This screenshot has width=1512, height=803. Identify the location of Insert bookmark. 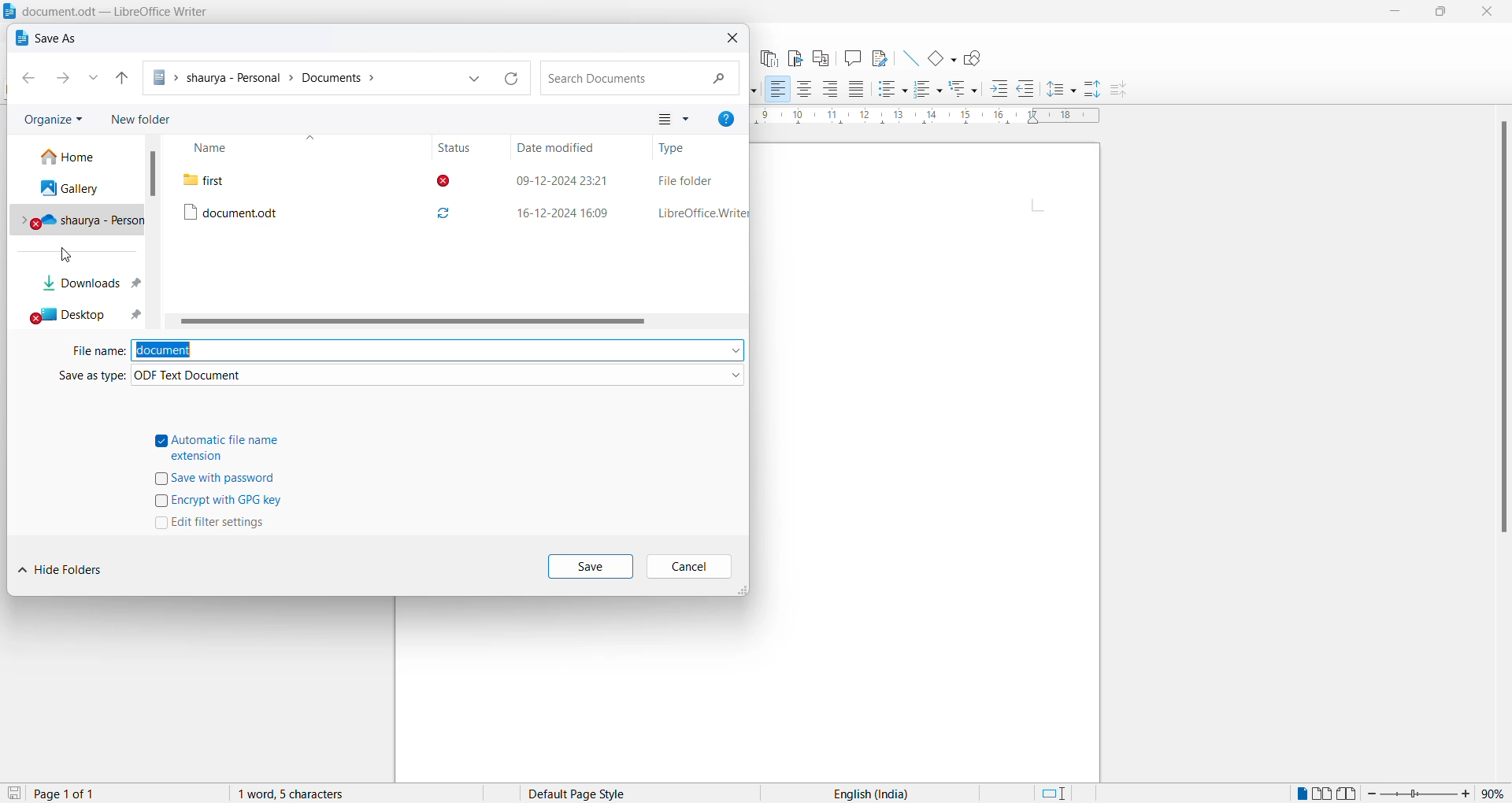
(795, 58).